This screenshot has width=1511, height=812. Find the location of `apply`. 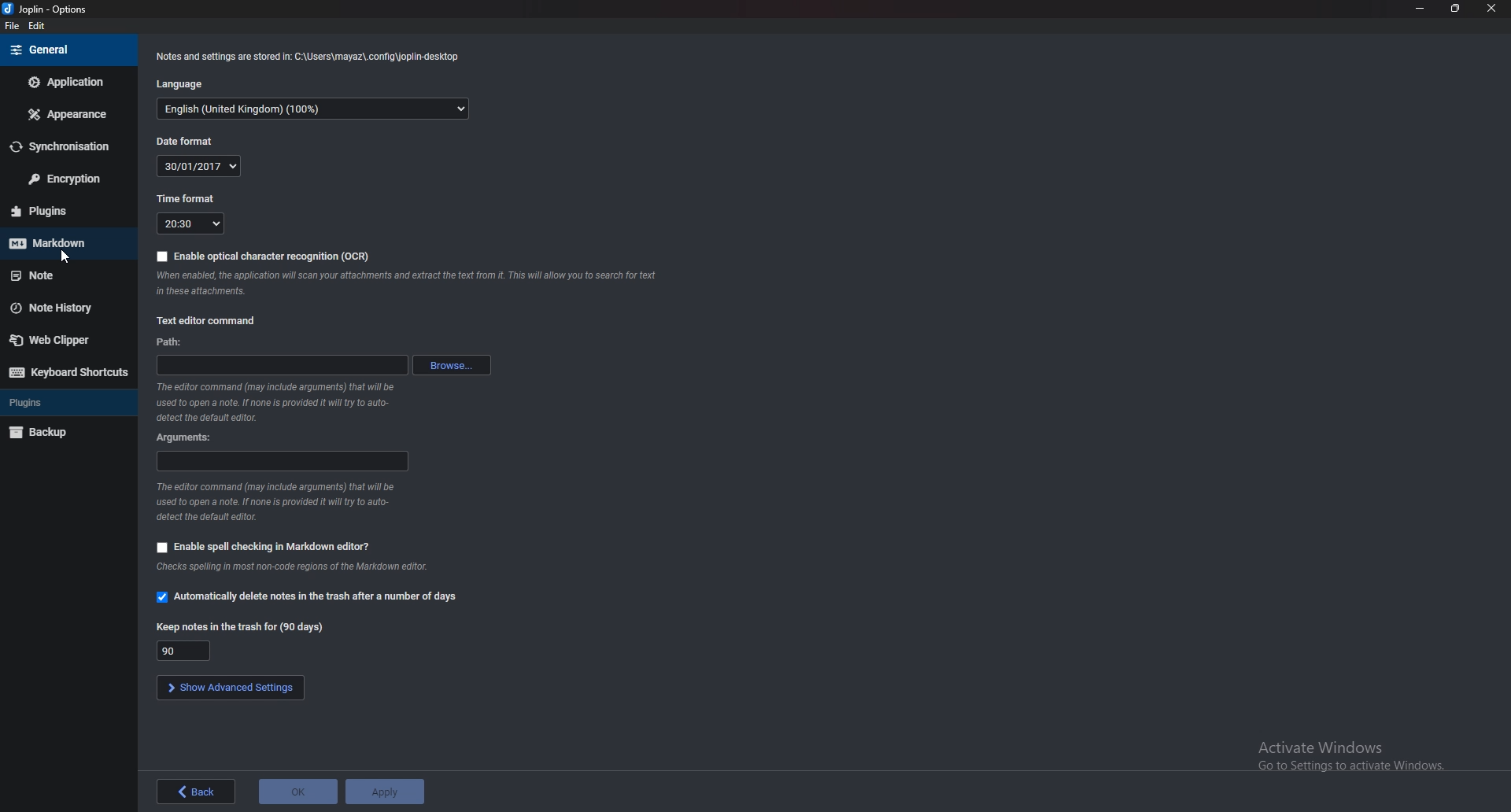

apply is located at coordinates (384, 791).